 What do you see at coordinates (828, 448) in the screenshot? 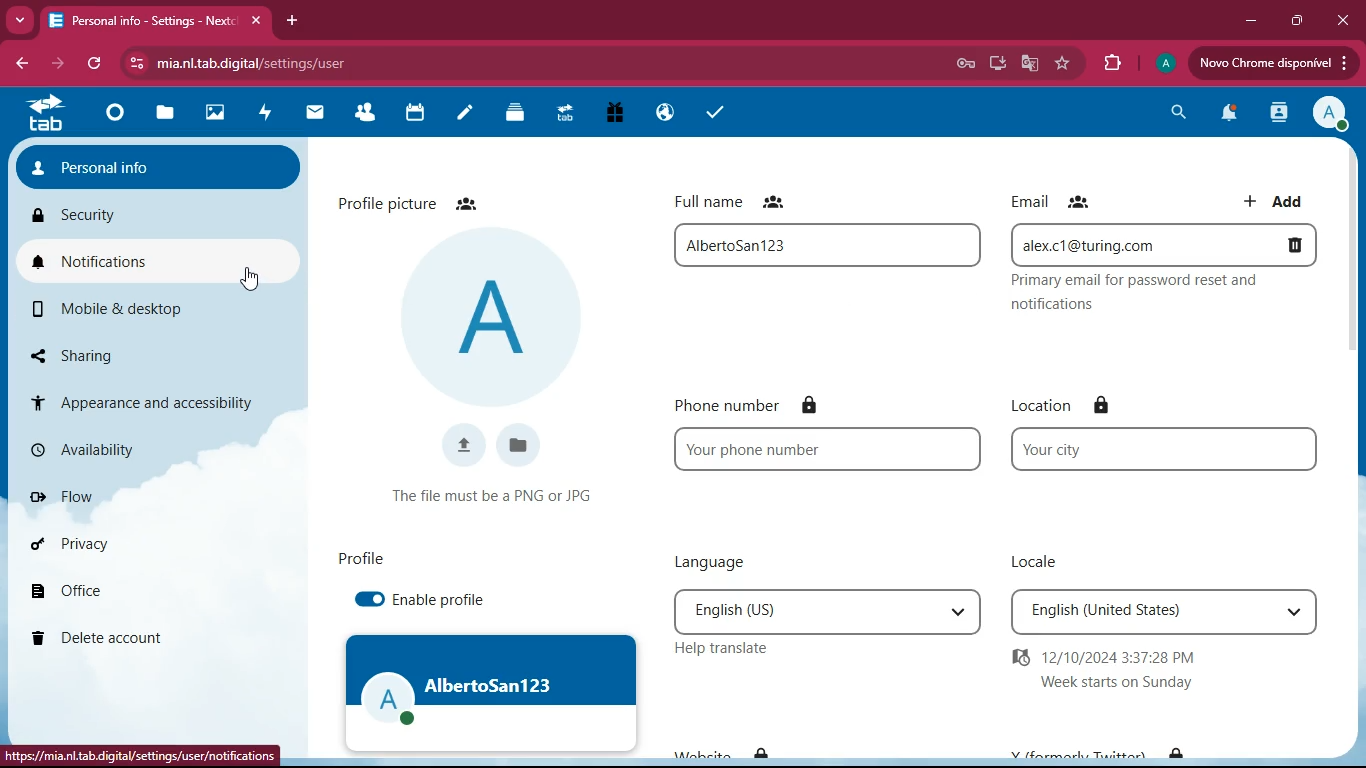
I see `phone number` at bounding box center [828, 448].